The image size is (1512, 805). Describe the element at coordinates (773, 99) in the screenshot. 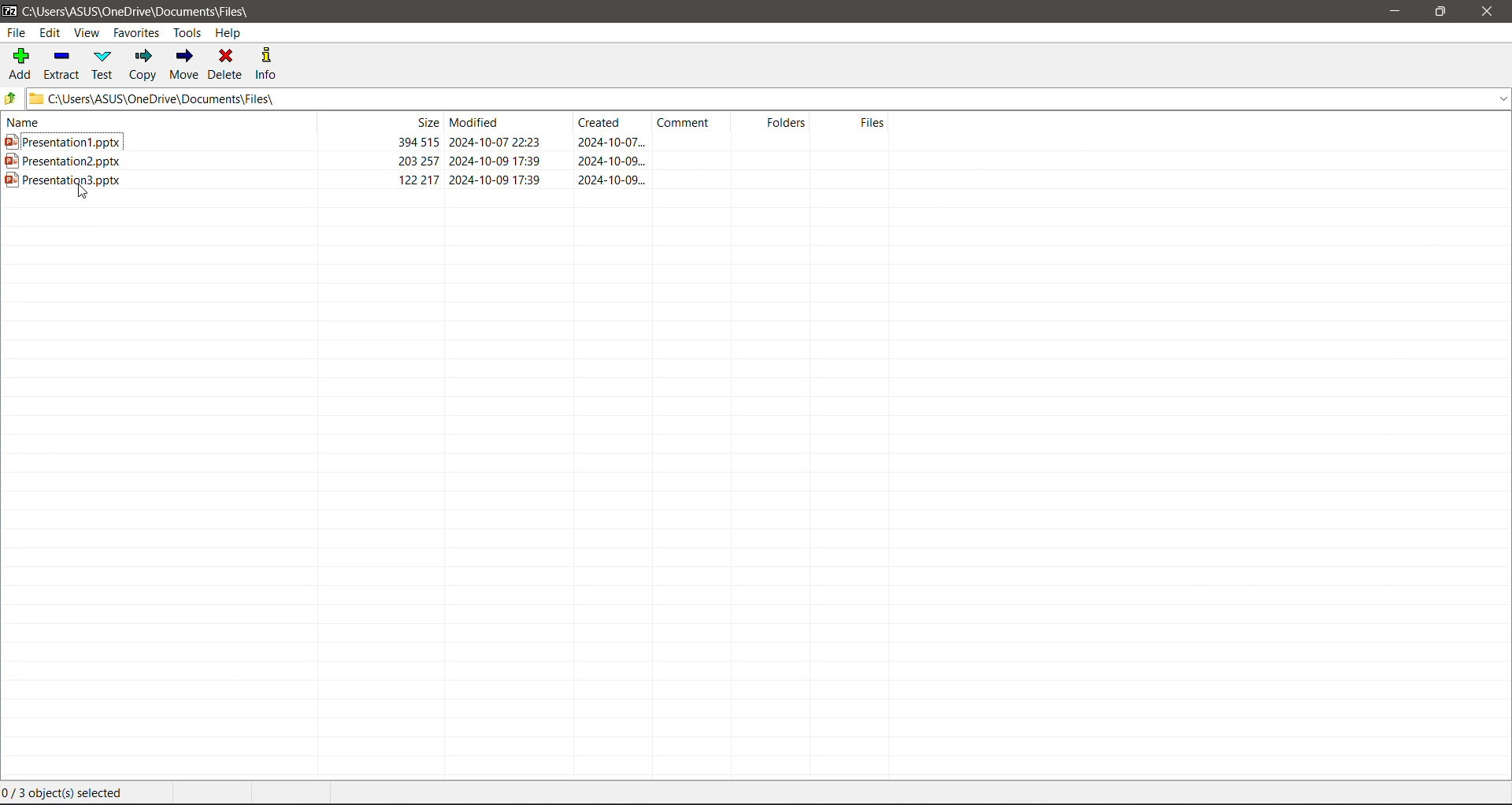

I see `Current Folder Path` at that location.